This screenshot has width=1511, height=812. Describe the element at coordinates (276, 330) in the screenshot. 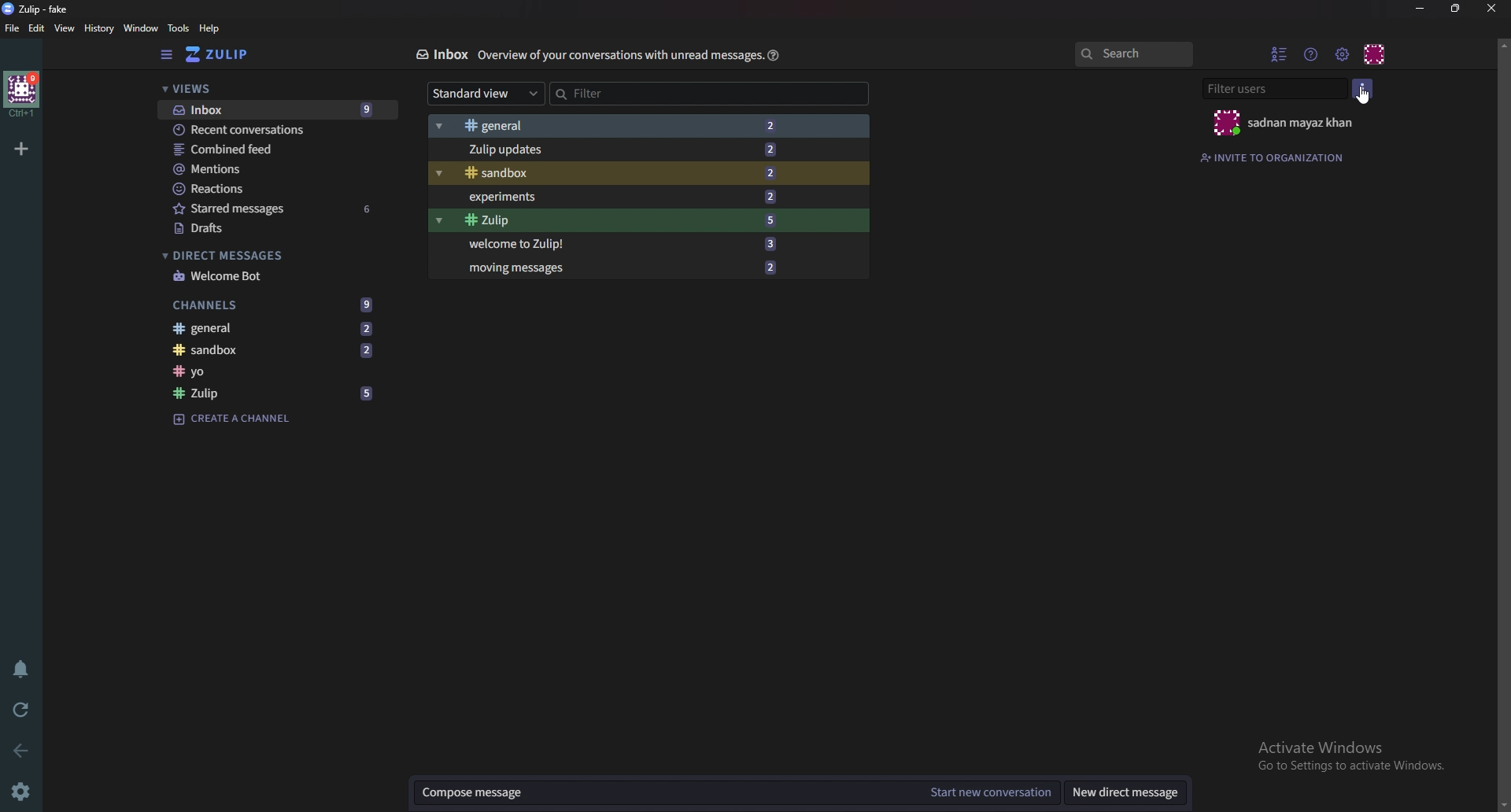

I see `General` at that location.